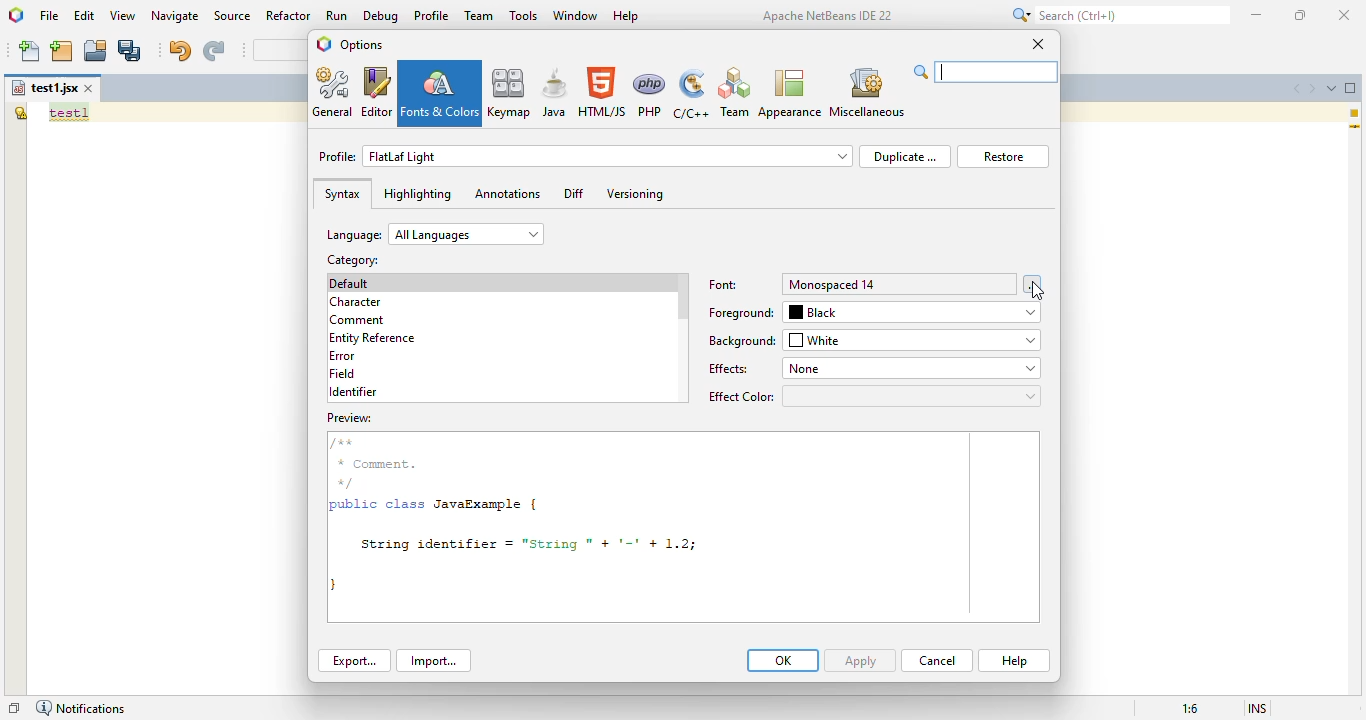 Image resolution: width=1366 pixels, height=720 pixels. I want to click on field, so click(343, 374).